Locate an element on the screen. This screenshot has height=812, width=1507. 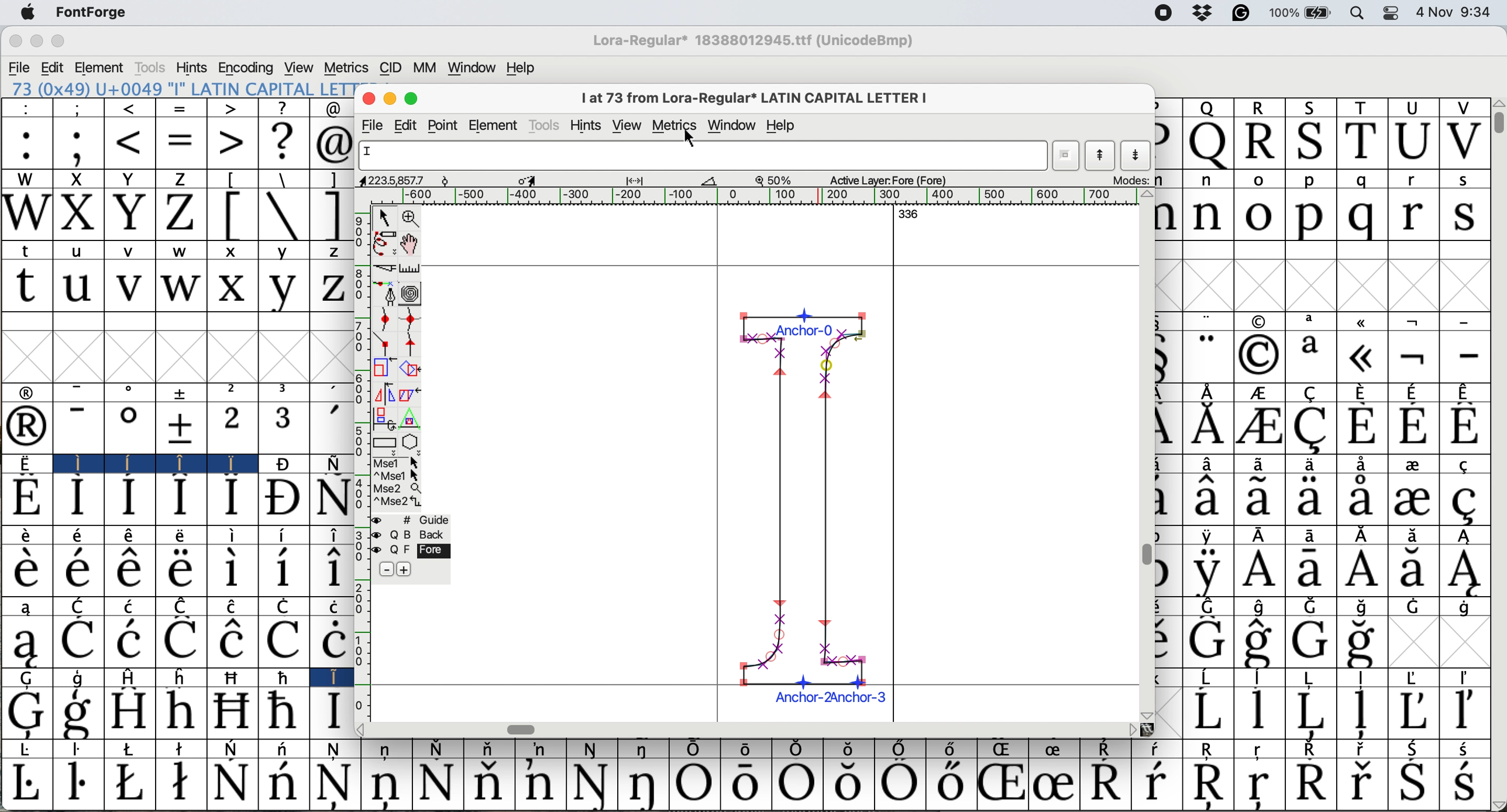
Symbol is located at coordinates (334, 462).